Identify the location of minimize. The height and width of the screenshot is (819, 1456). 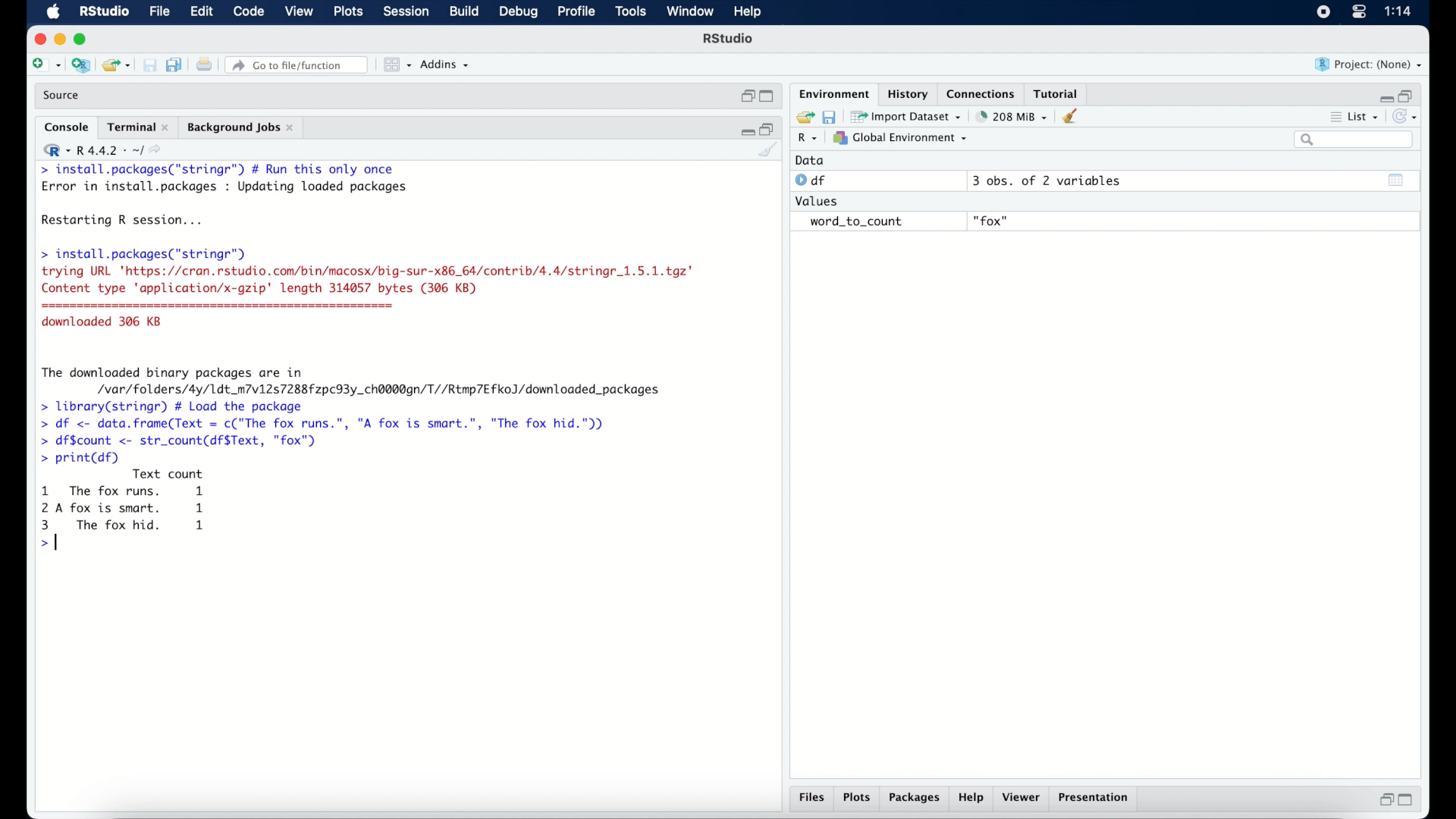
(1384, 98).